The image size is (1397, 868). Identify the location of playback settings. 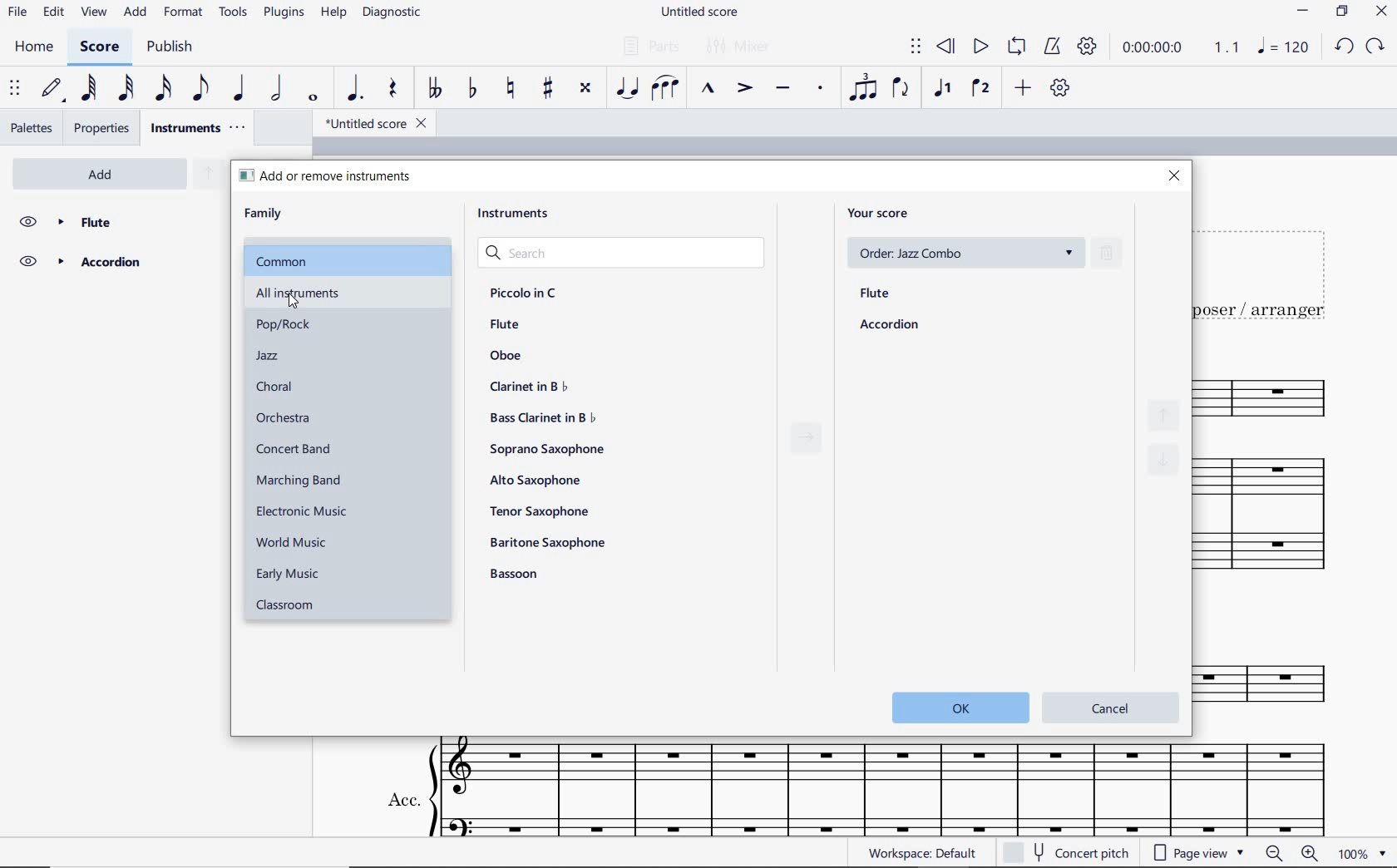
(1086, 47).